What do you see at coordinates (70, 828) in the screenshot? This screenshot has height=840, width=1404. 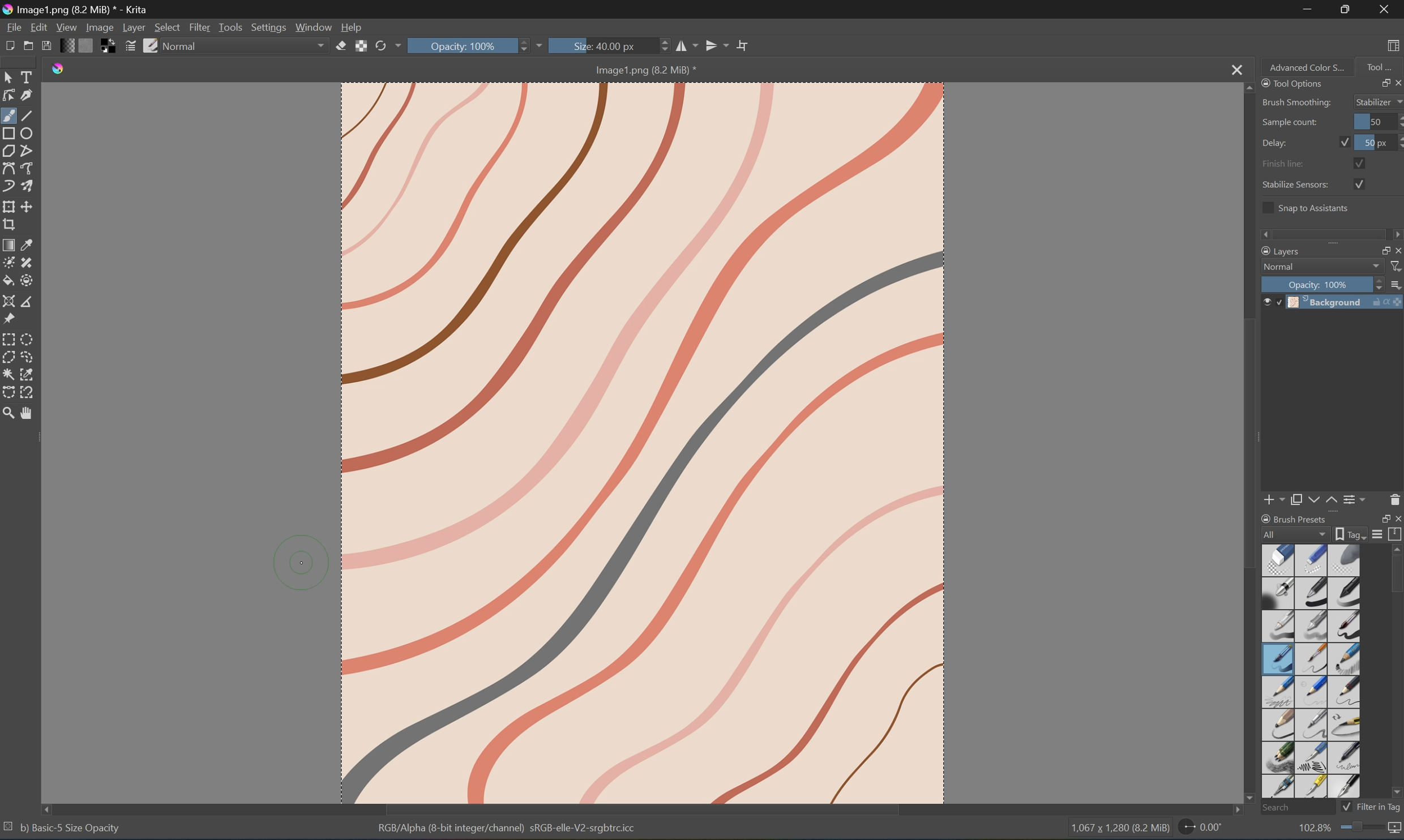 I see `bj Basic- 5 Size Opacity` at bounding box center [70, 828].